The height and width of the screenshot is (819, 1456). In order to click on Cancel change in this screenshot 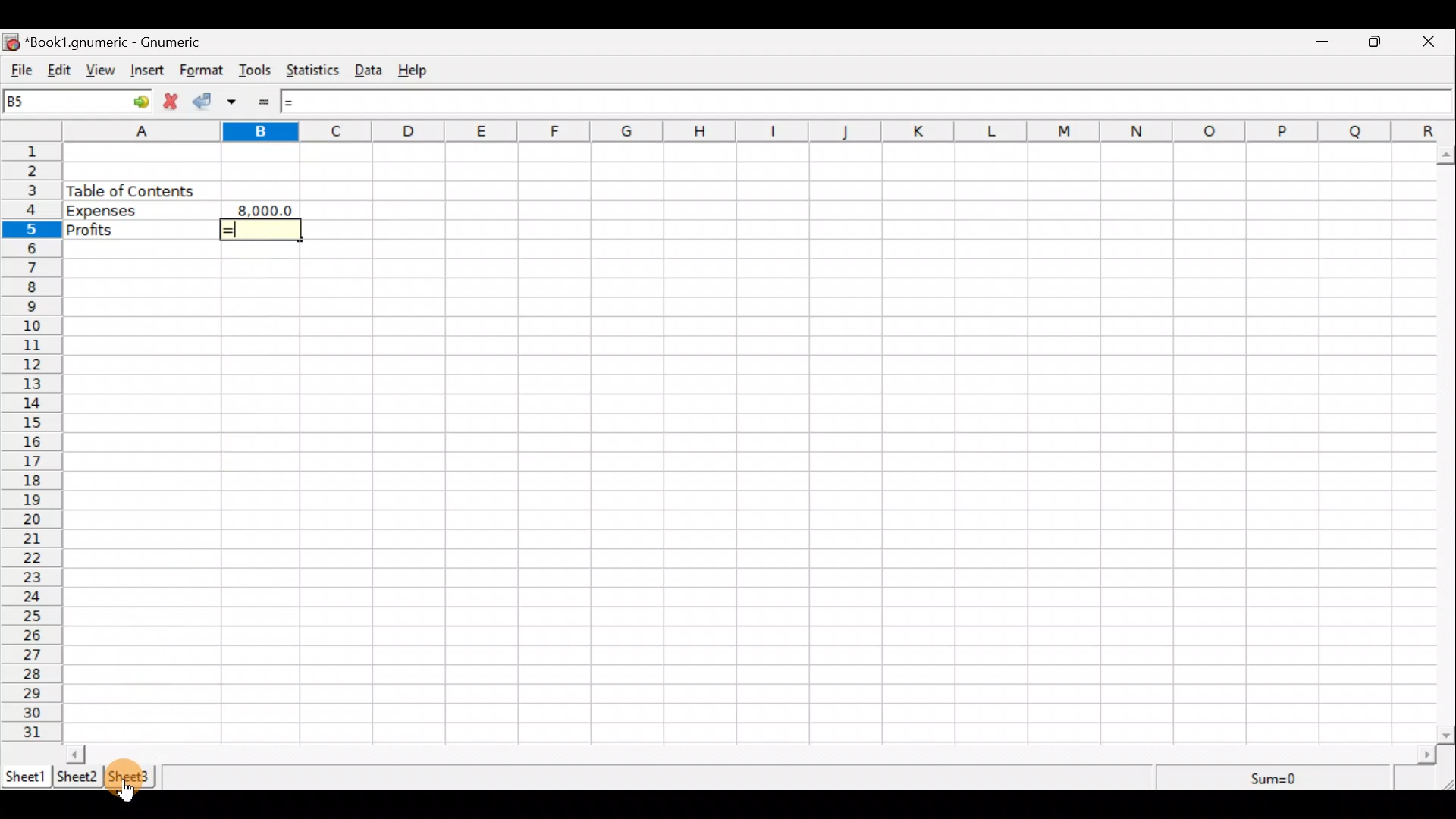, I will do `click(174, 103)`.